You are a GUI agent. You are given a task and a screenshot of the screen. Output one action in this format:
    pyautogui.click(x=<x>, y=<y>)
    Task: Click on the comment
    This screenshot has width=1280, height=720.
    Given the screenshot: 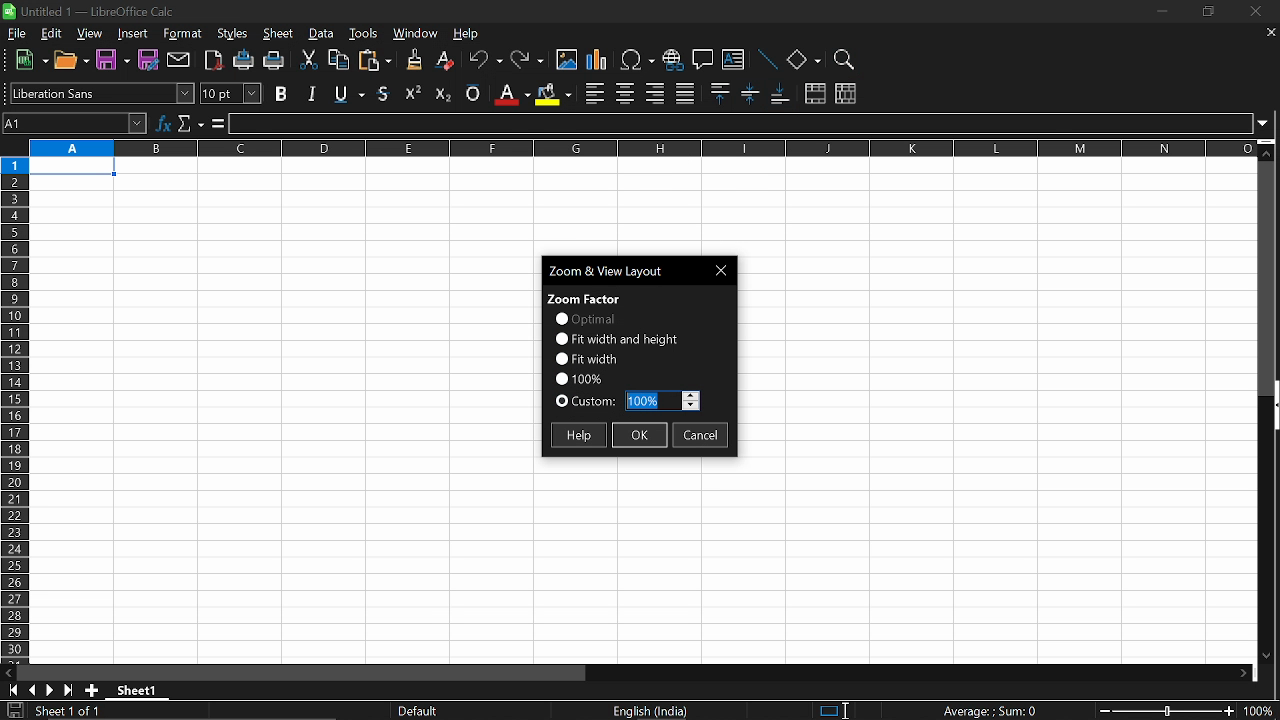 What is the action you would take?
    pyautogui.click(x=703, y=62)
    